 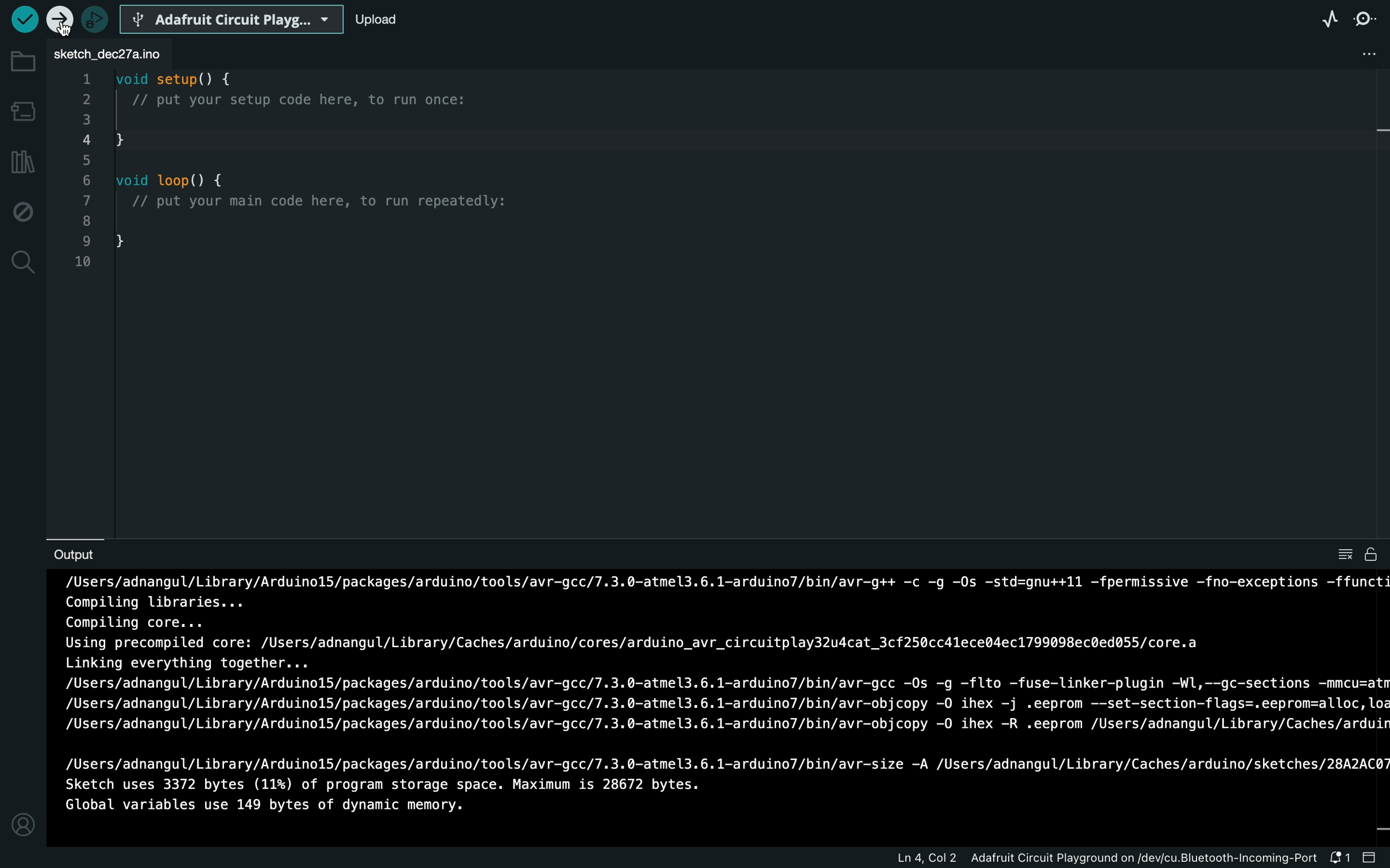 I want to click on debug, so click(x=24, y=214).